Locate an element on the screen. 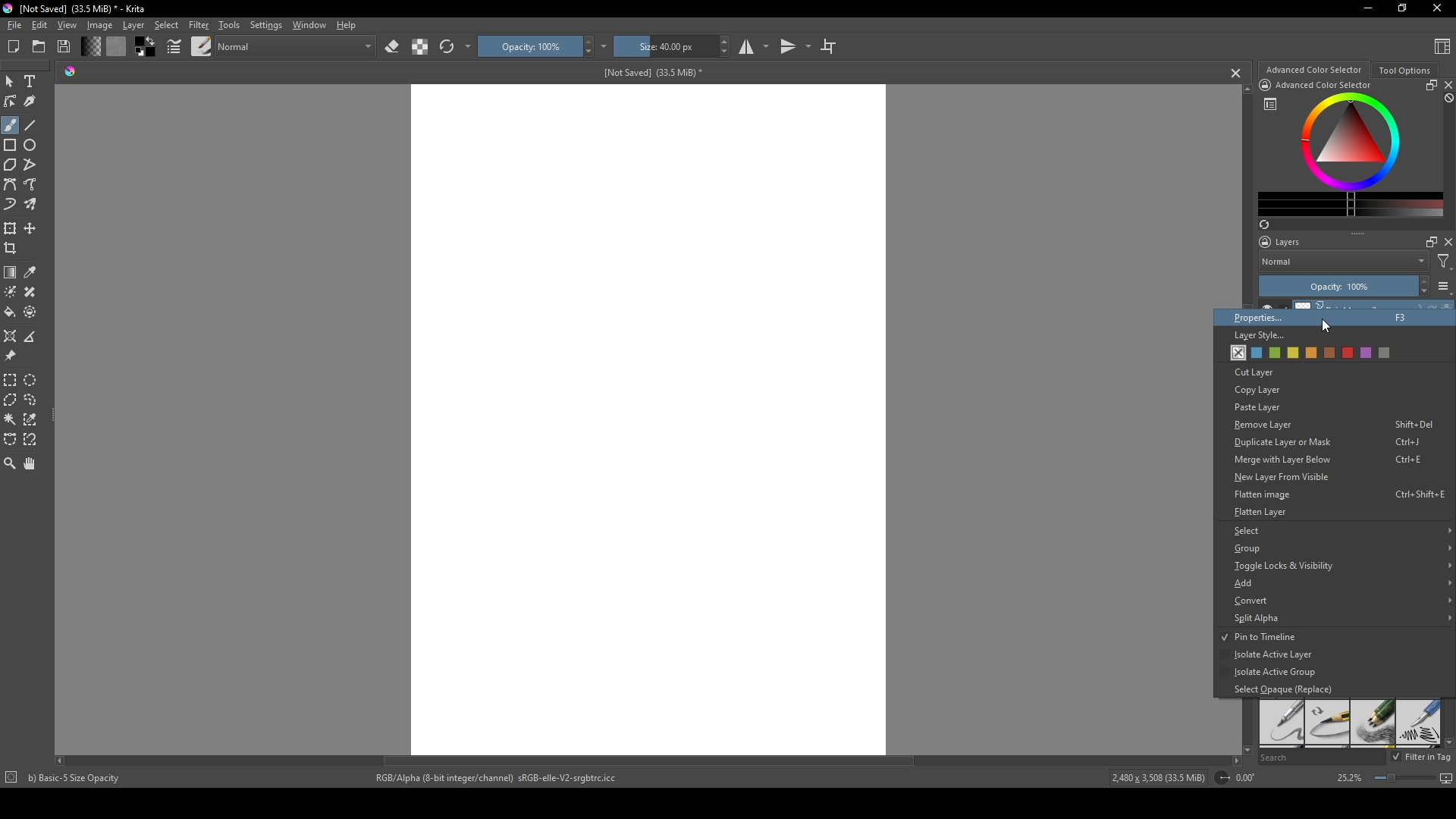 The width and height of the screenshot is (1456, 819). scroll right is located at coordinates (1236, 761).